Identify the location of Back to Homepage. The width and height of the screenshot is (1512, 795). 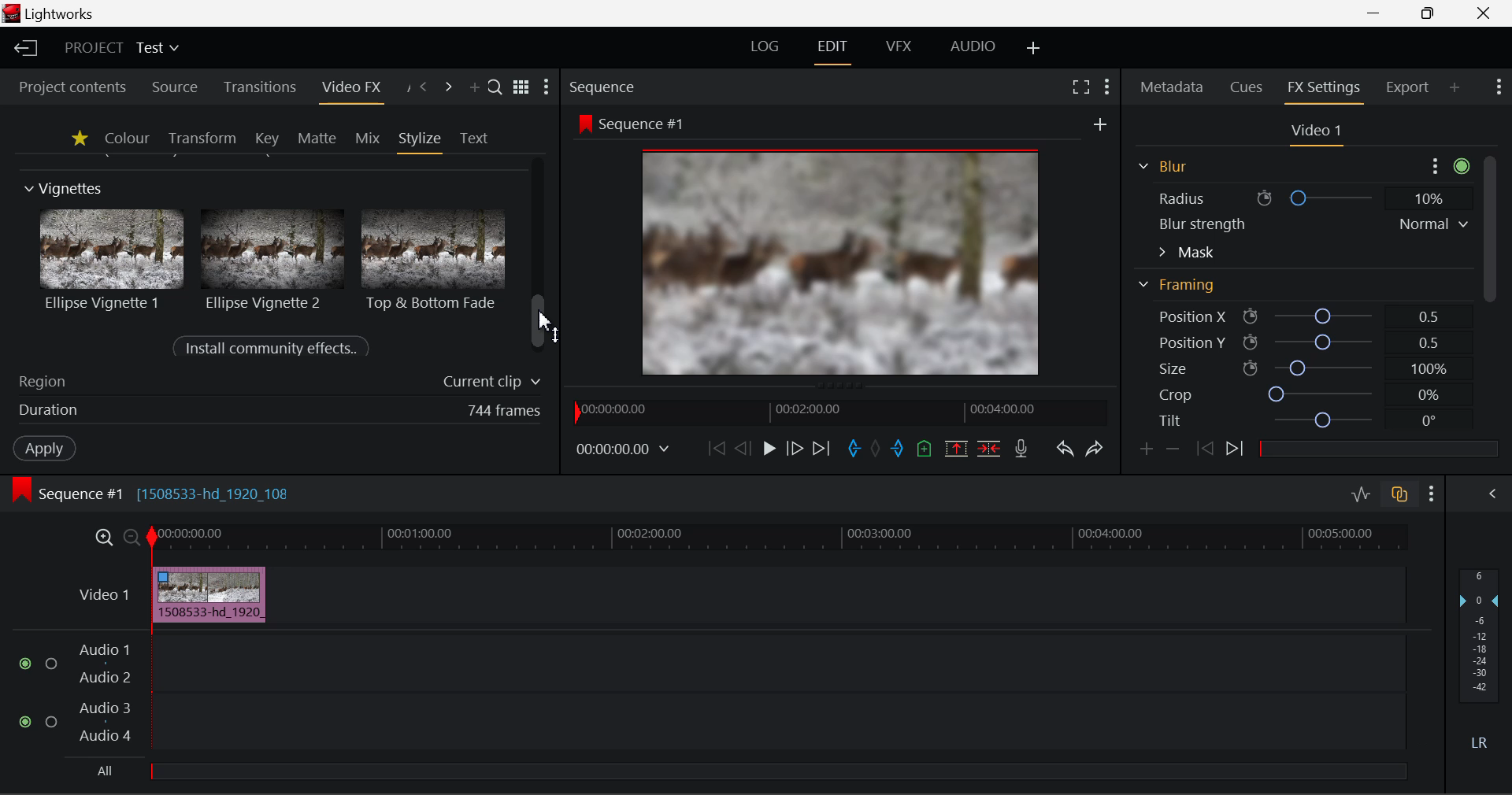
(23, 49).